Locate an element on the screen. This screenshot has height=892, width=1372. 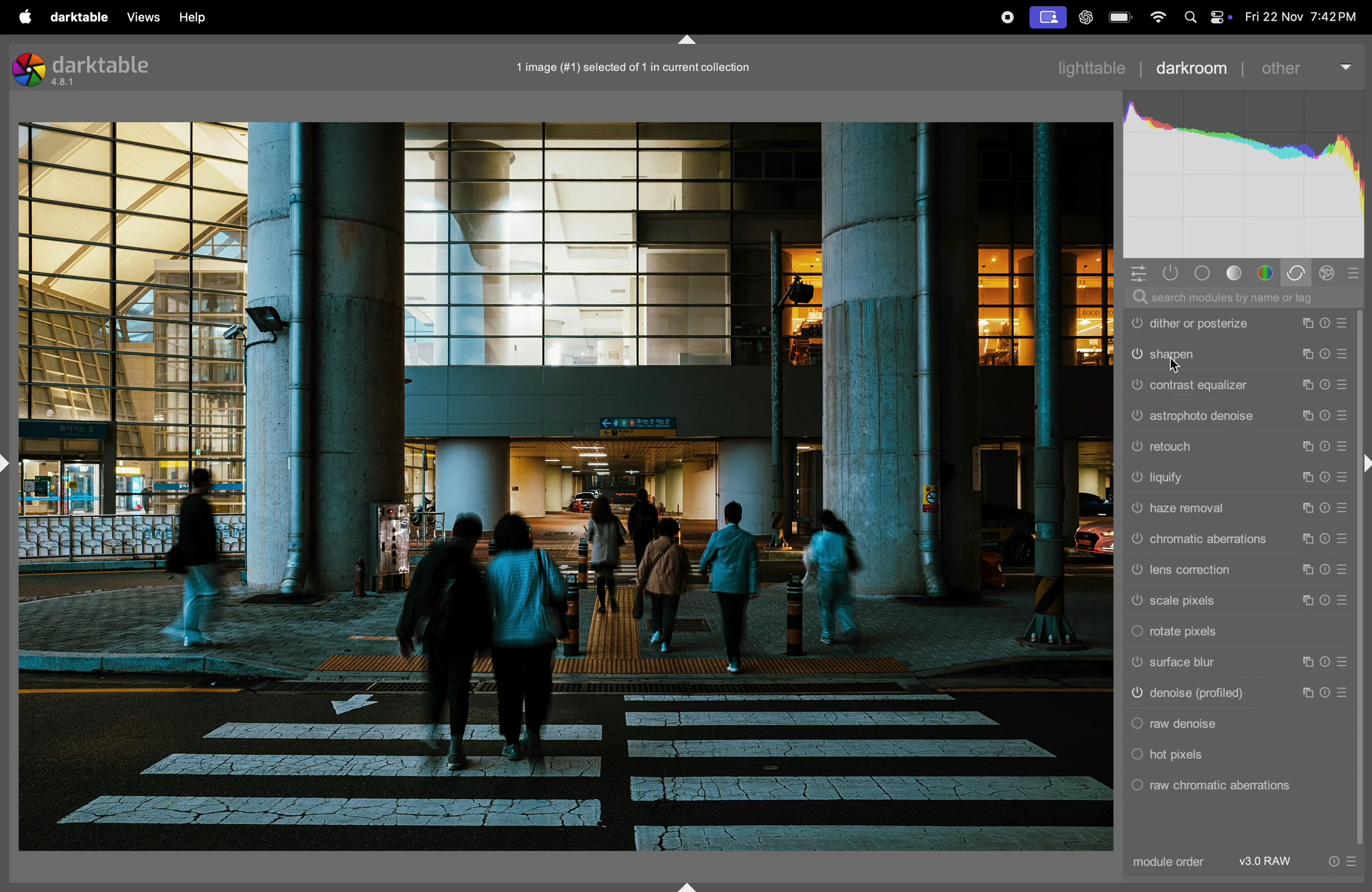
dither or posterize is located at coordinates (1238, 324).